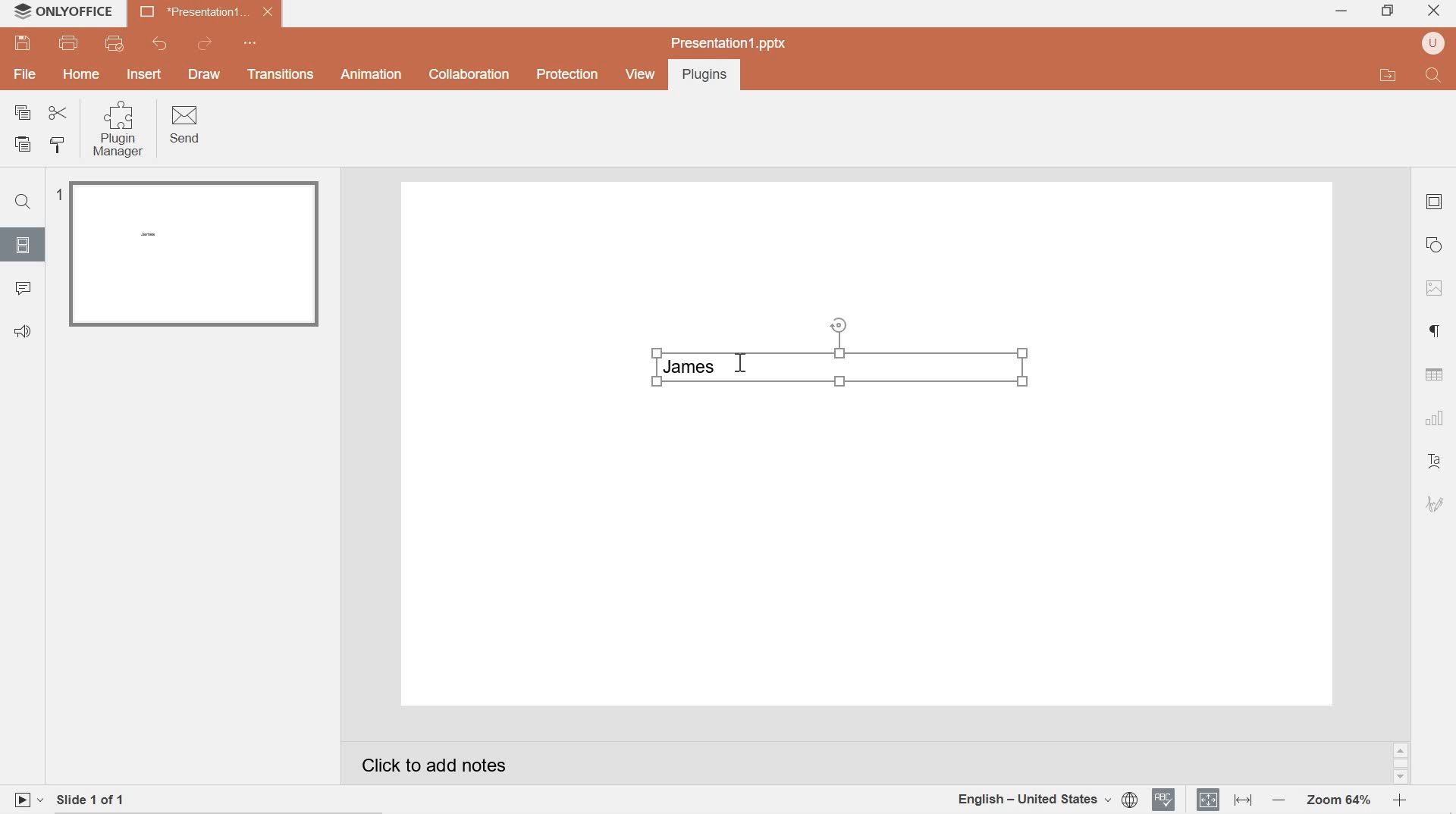 Image resolution: width=1456 pixels, height=814 pixels. Describe the element at coordinates (26, 145) in the screenshot. I see `paste` at that location.